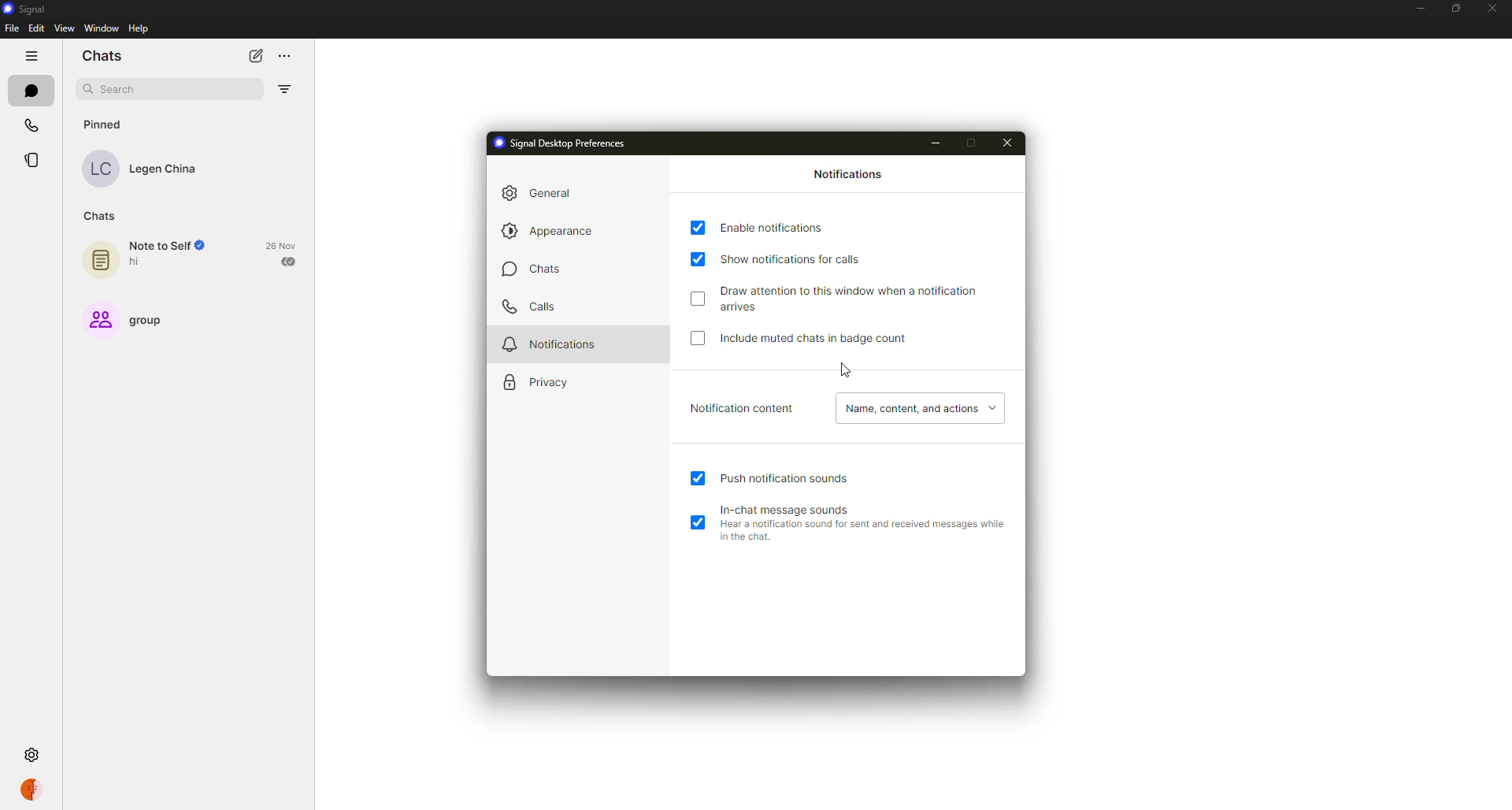 The height and width of the screenshot is (810, 1512). I want to click on enabled, so click(700, 479).